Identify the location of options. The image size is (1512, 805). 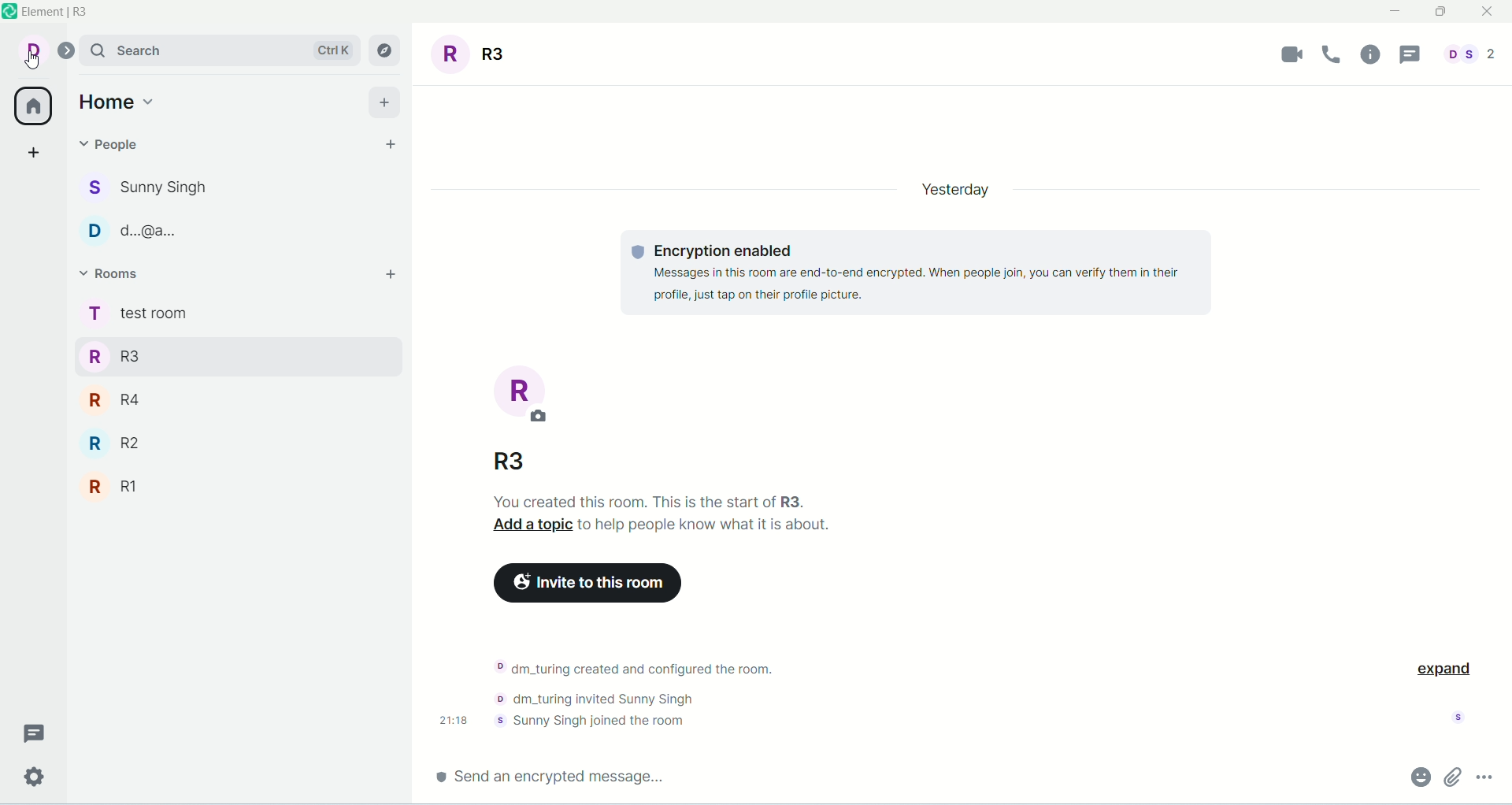
(1483, 775).